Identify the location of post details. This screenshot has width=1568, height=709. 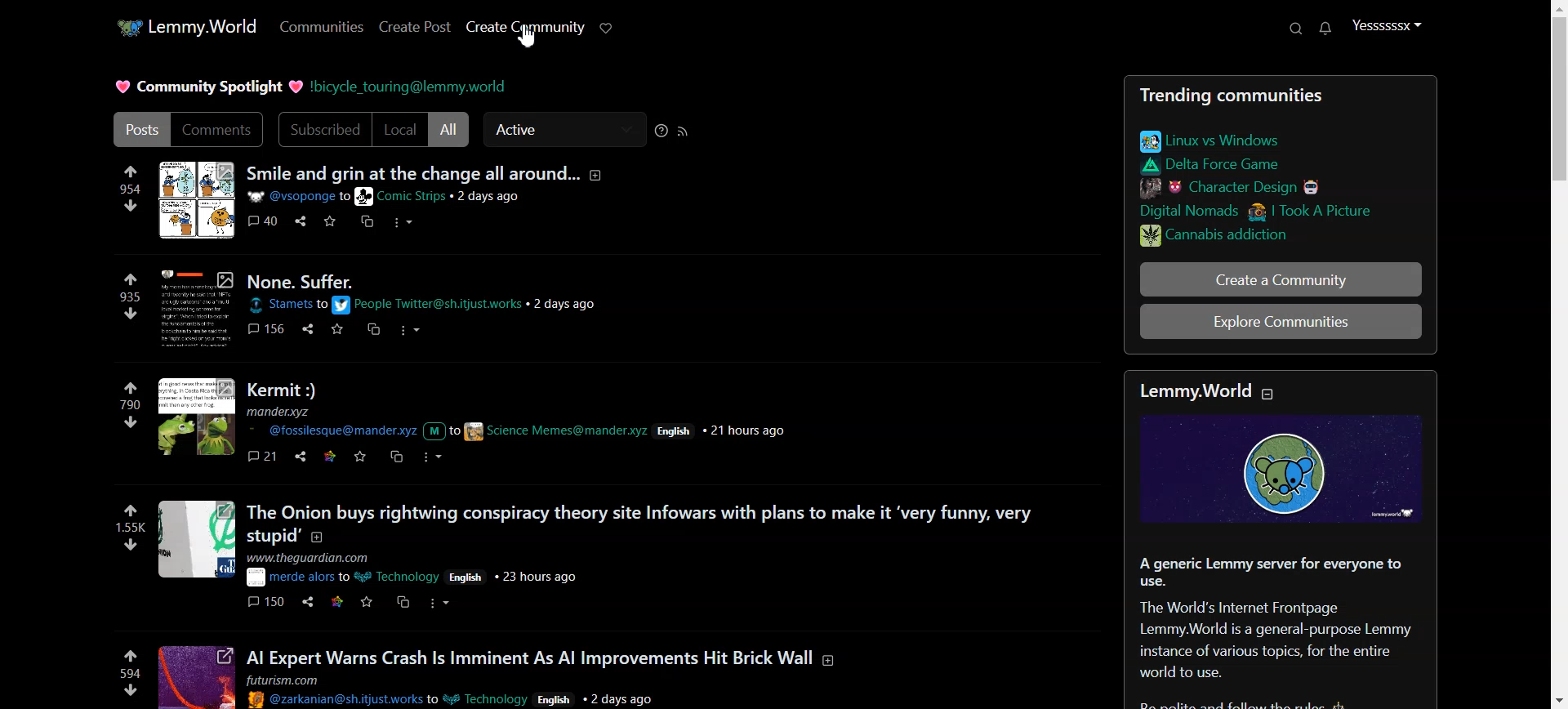
(531, 423).